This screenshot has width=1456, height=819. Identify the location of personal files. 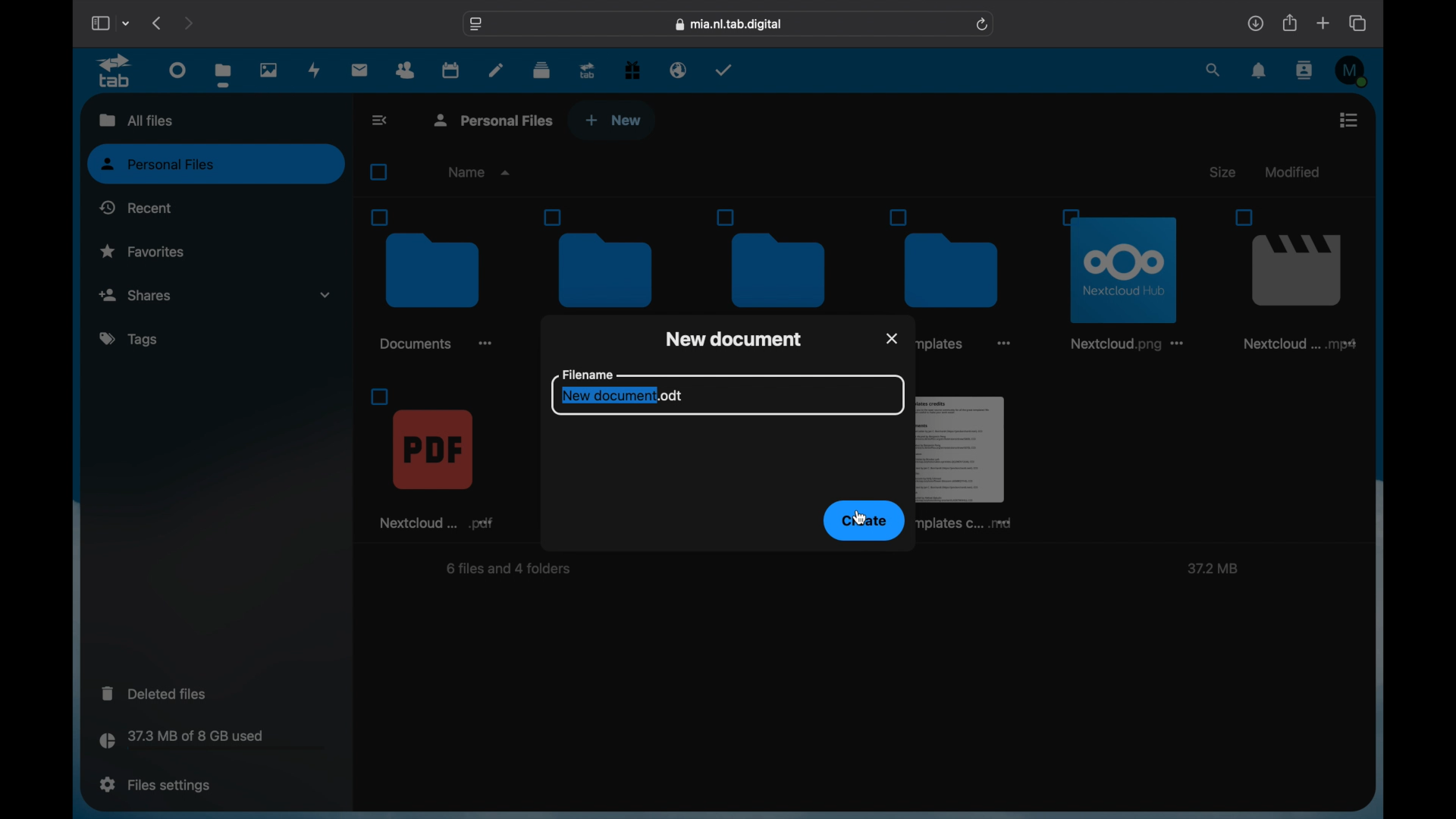
(496, 119).